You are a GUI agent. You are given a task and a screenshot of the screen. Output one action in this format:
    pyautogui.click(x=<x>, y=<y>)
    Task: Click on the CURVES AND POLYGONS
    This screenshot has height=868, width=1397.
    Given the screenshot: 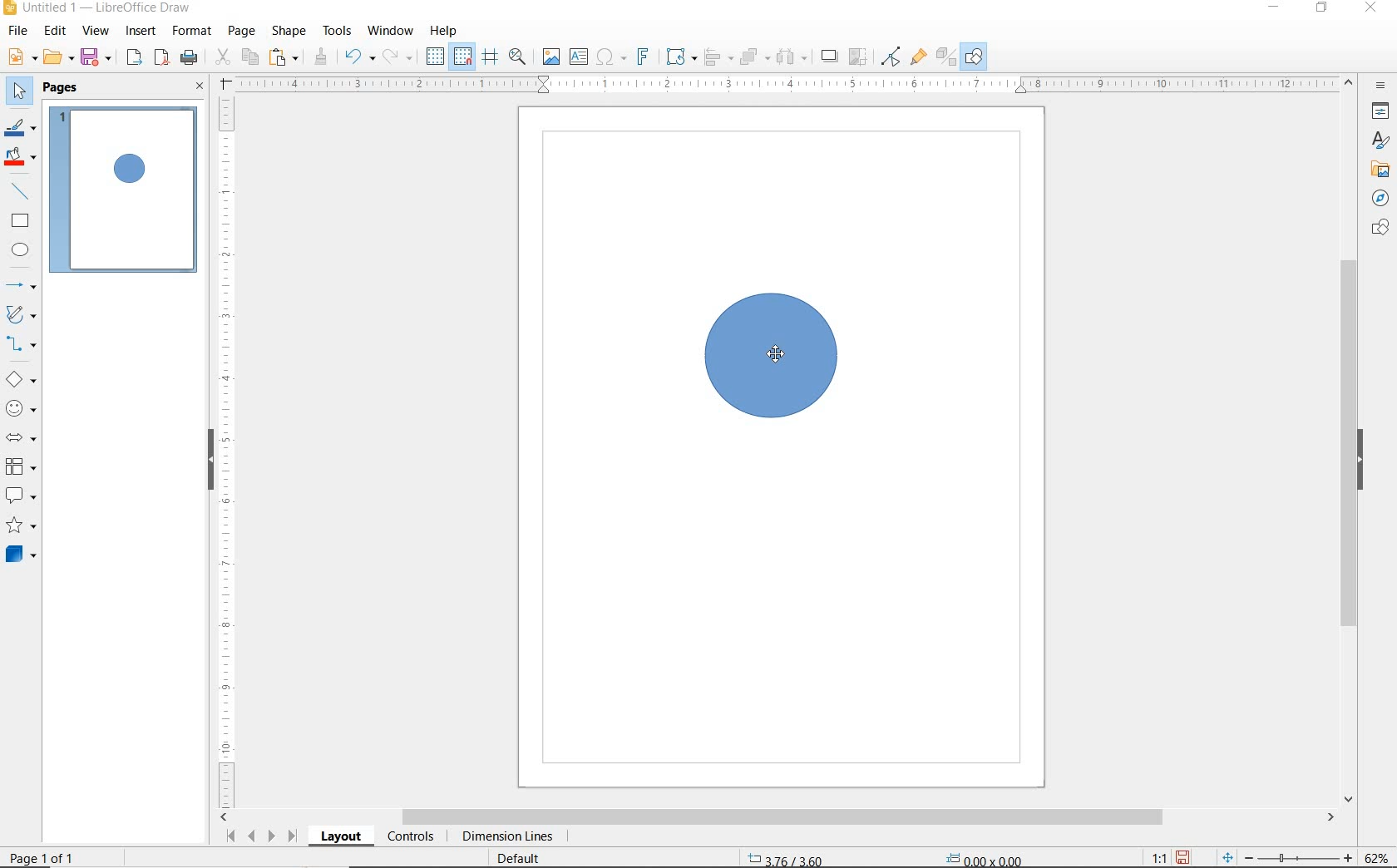 What is the action you would take?
    pyautogui.click(x=23, y=314)
    